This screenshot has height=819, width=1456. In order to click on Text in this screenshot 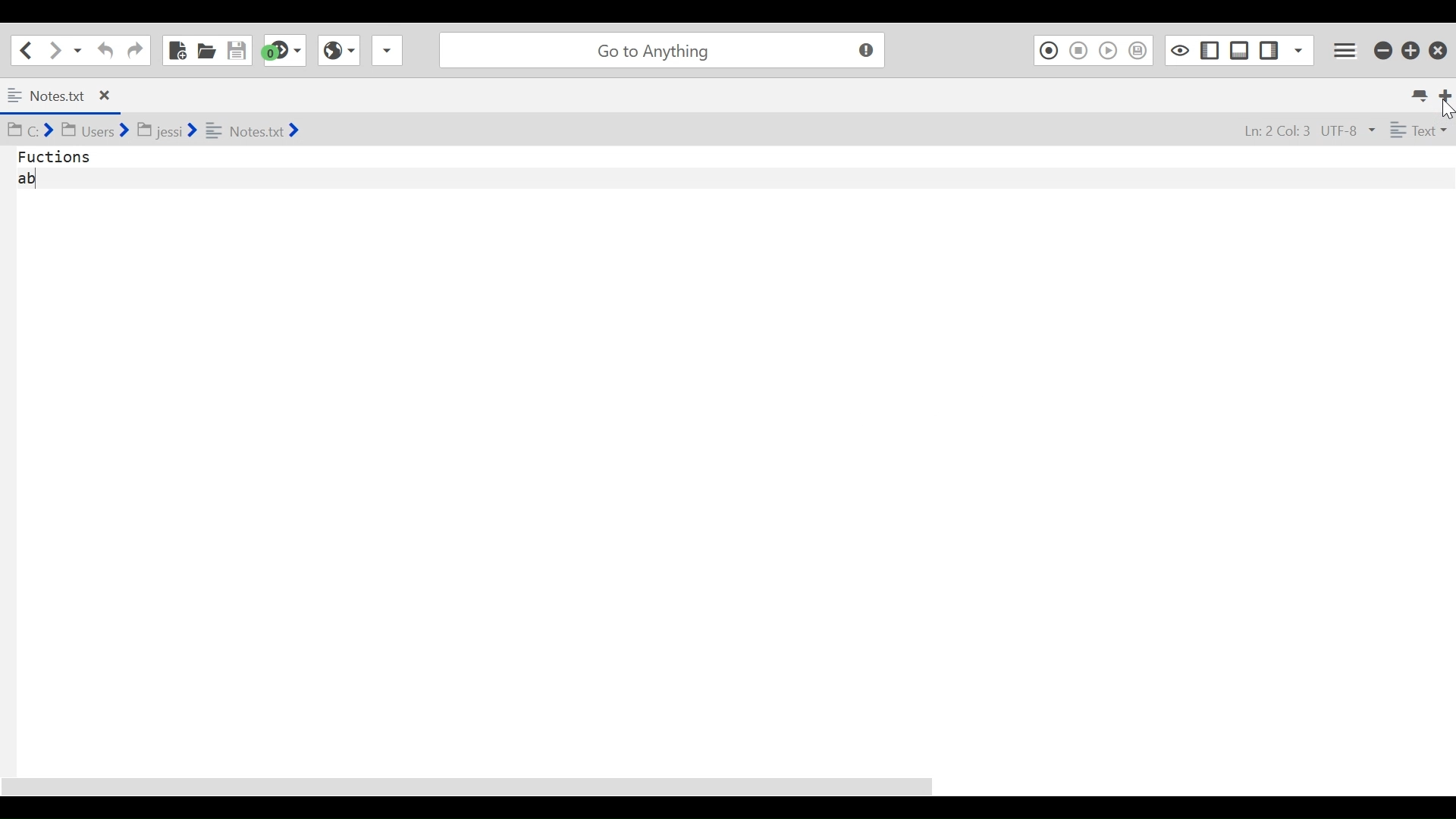, I will do `click(1419, 130)`.